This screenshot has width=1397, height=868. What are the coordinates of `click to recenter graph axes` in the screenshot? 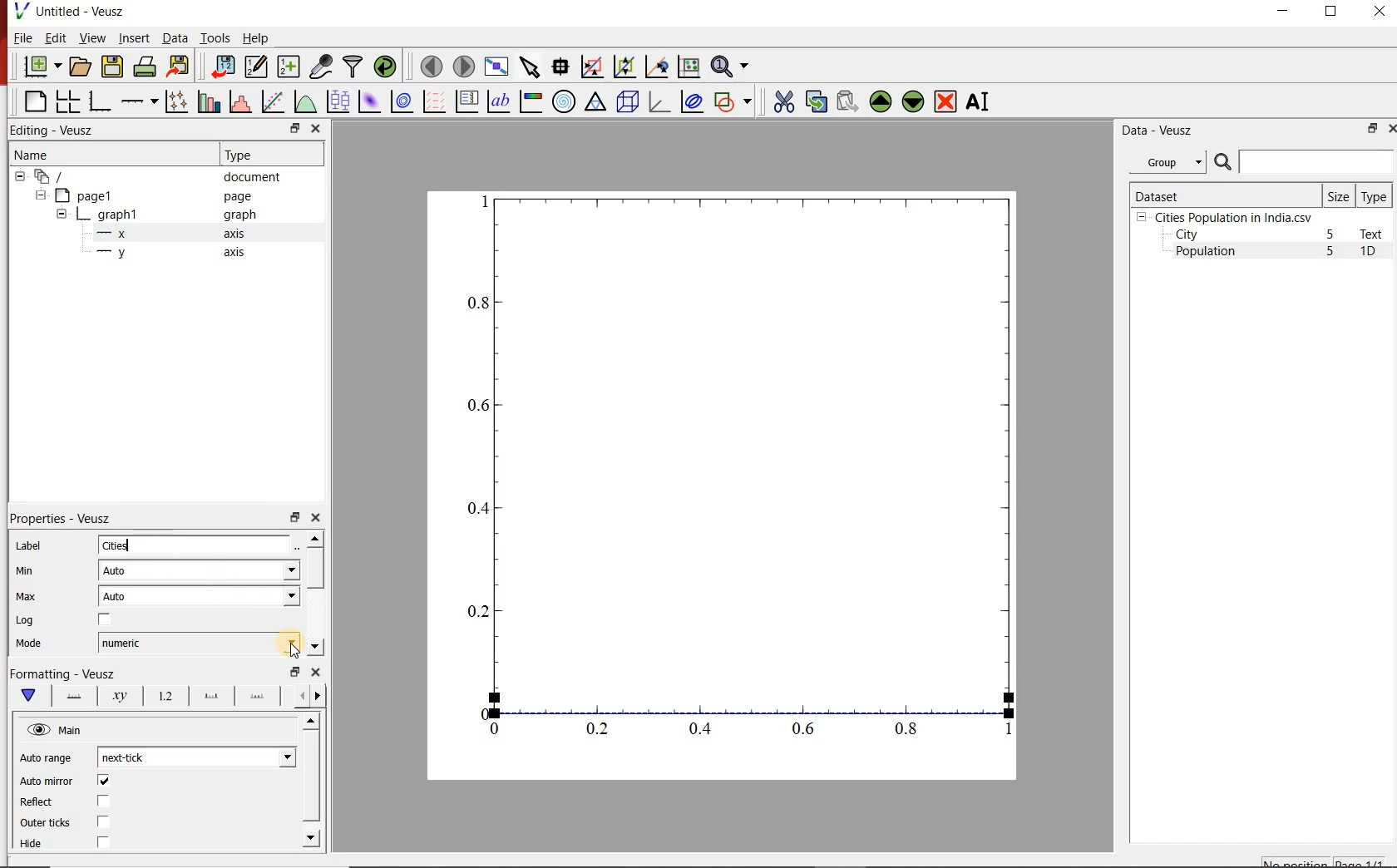 It's located at (655, 67).